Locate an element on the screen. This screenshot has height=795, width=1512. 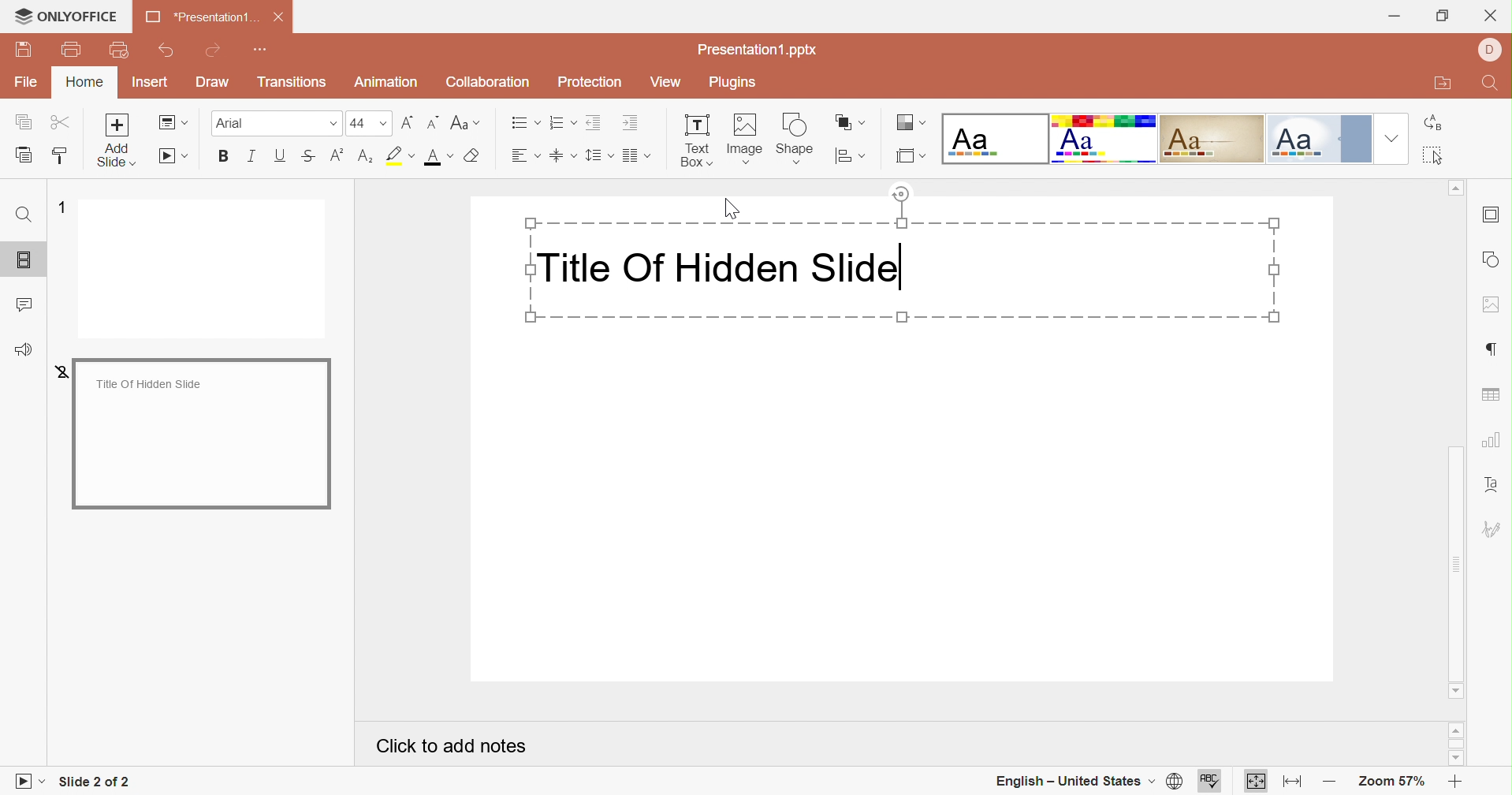
Open file location is located at coordinates (1439, 83).